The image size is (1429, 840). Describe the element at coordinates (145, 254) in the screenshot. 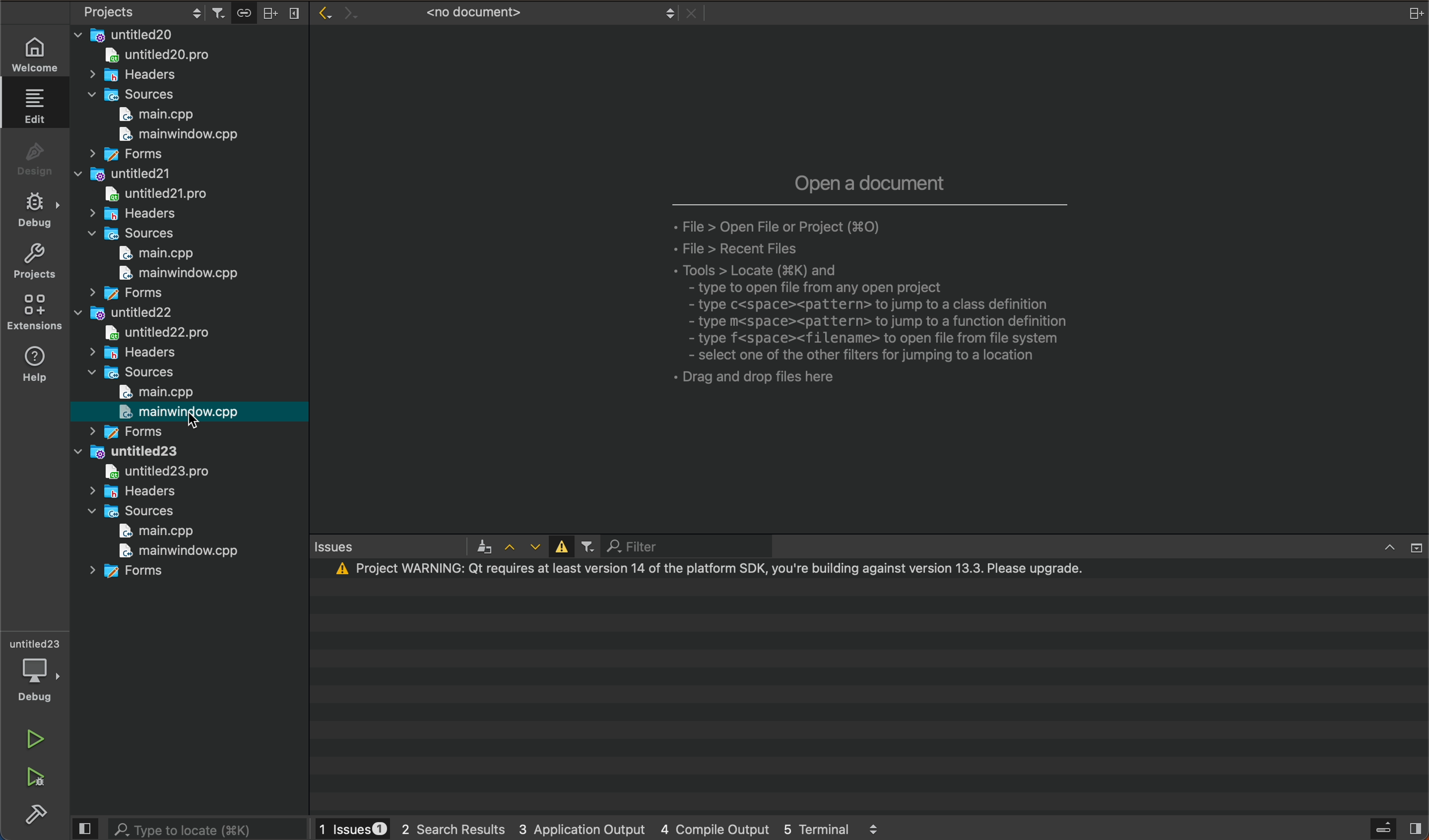

I see `main.cpp` at that location.